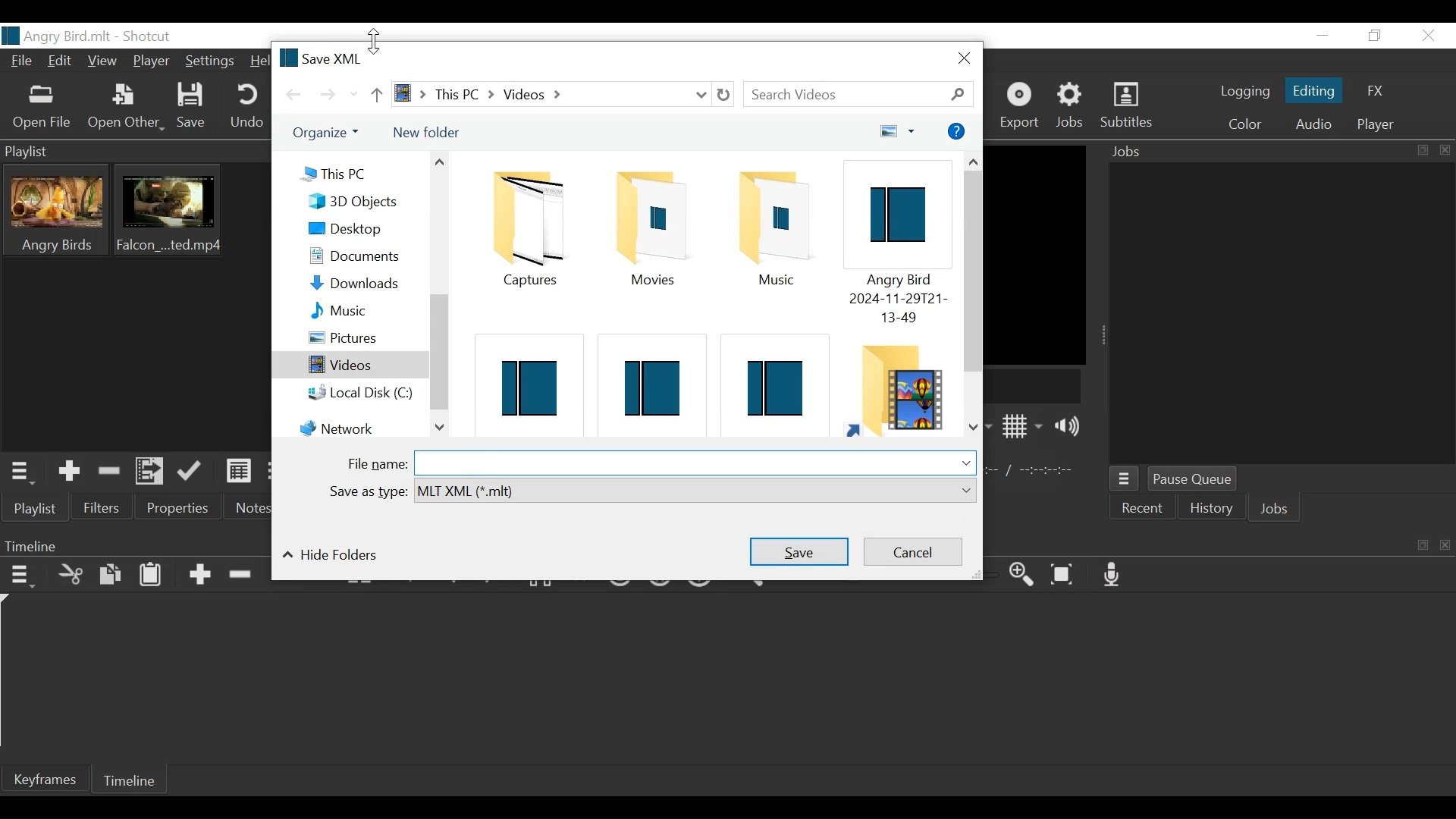  What do you see at coordinates (1025, 576) in the screenshot?
I see `Zoom timeline in` at bounding box center [1025, 576].